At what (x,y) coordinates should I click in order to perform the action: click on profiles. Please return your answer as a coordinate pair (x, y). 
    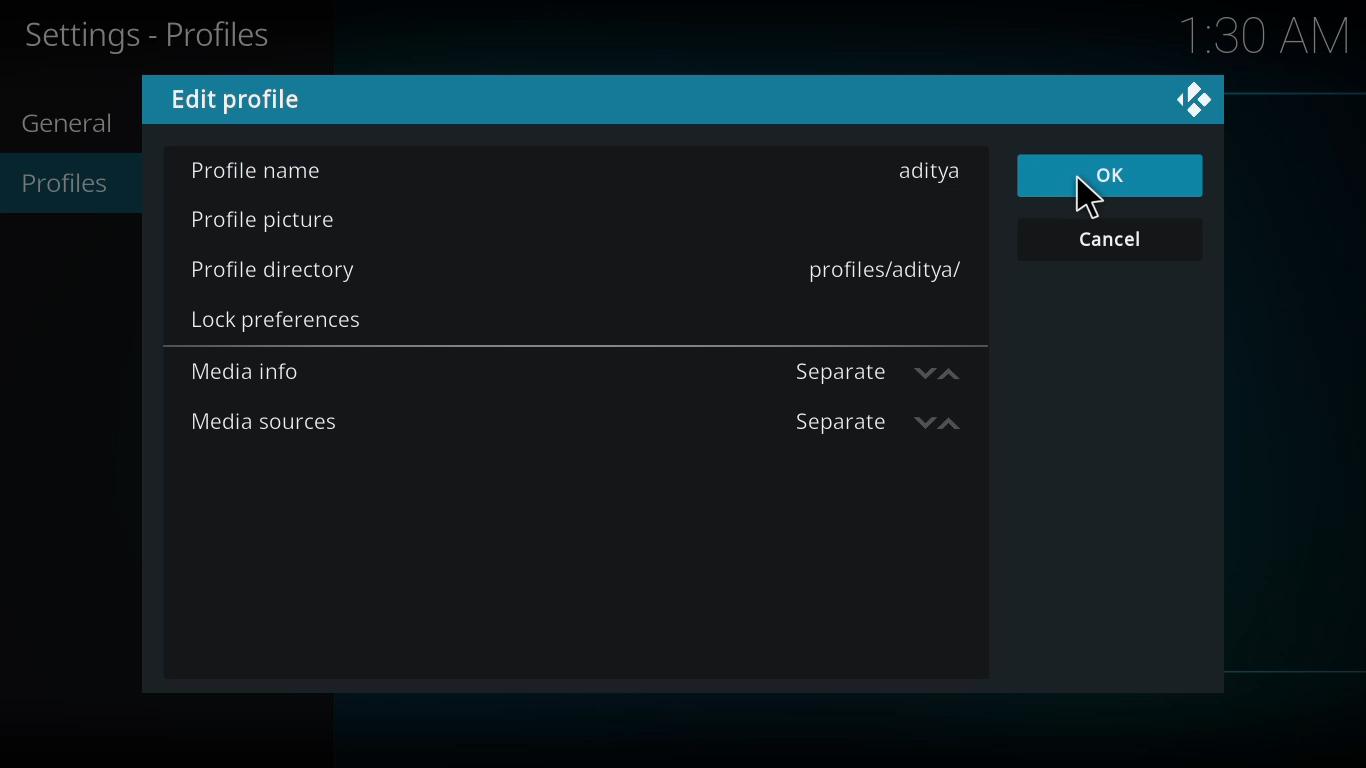
    Looking at the image, I should click on (152, 35).